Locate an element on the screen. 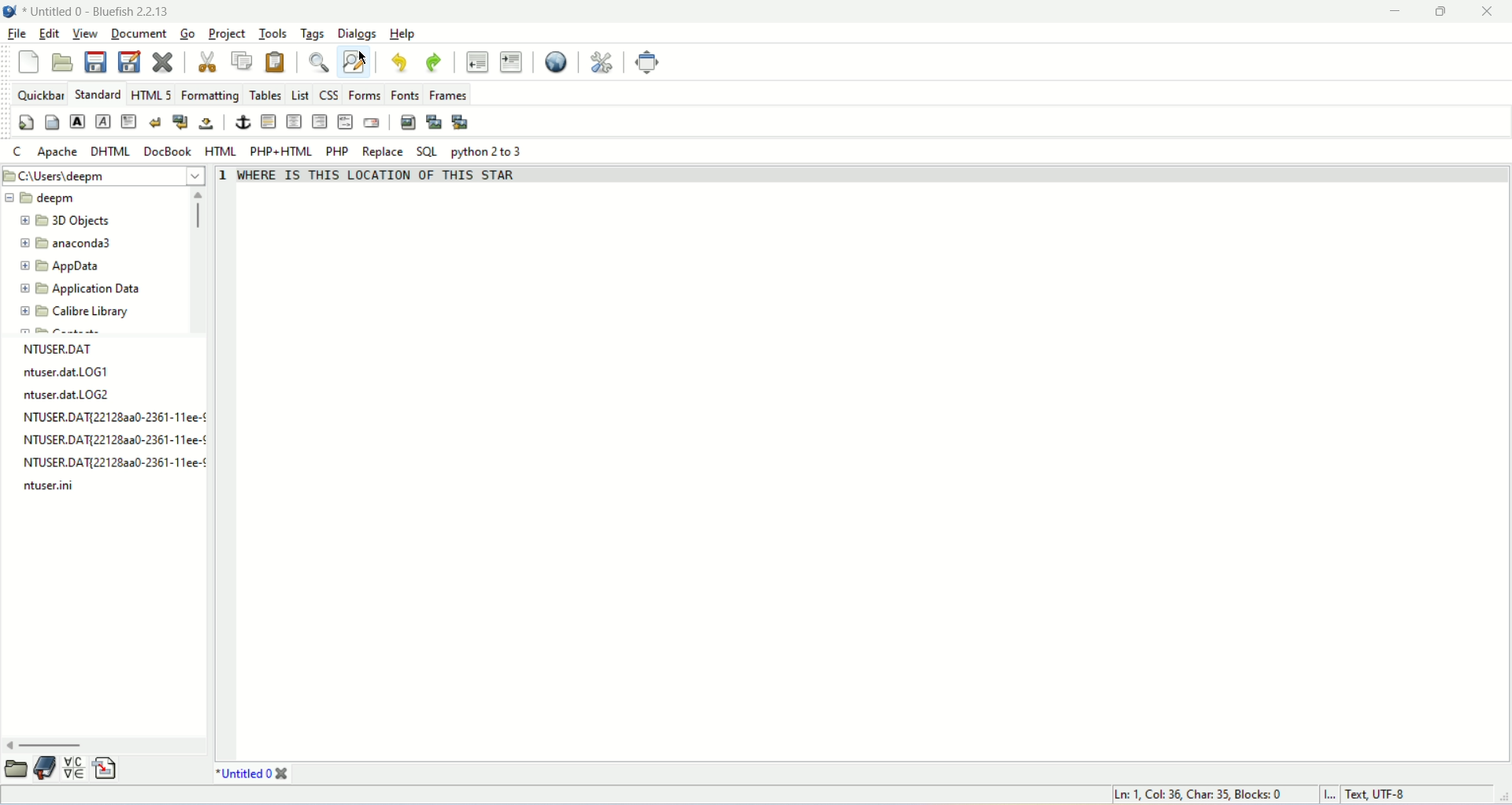 The image size is (1512, 805). multi thumbnail is located at coordinates (461, 122).